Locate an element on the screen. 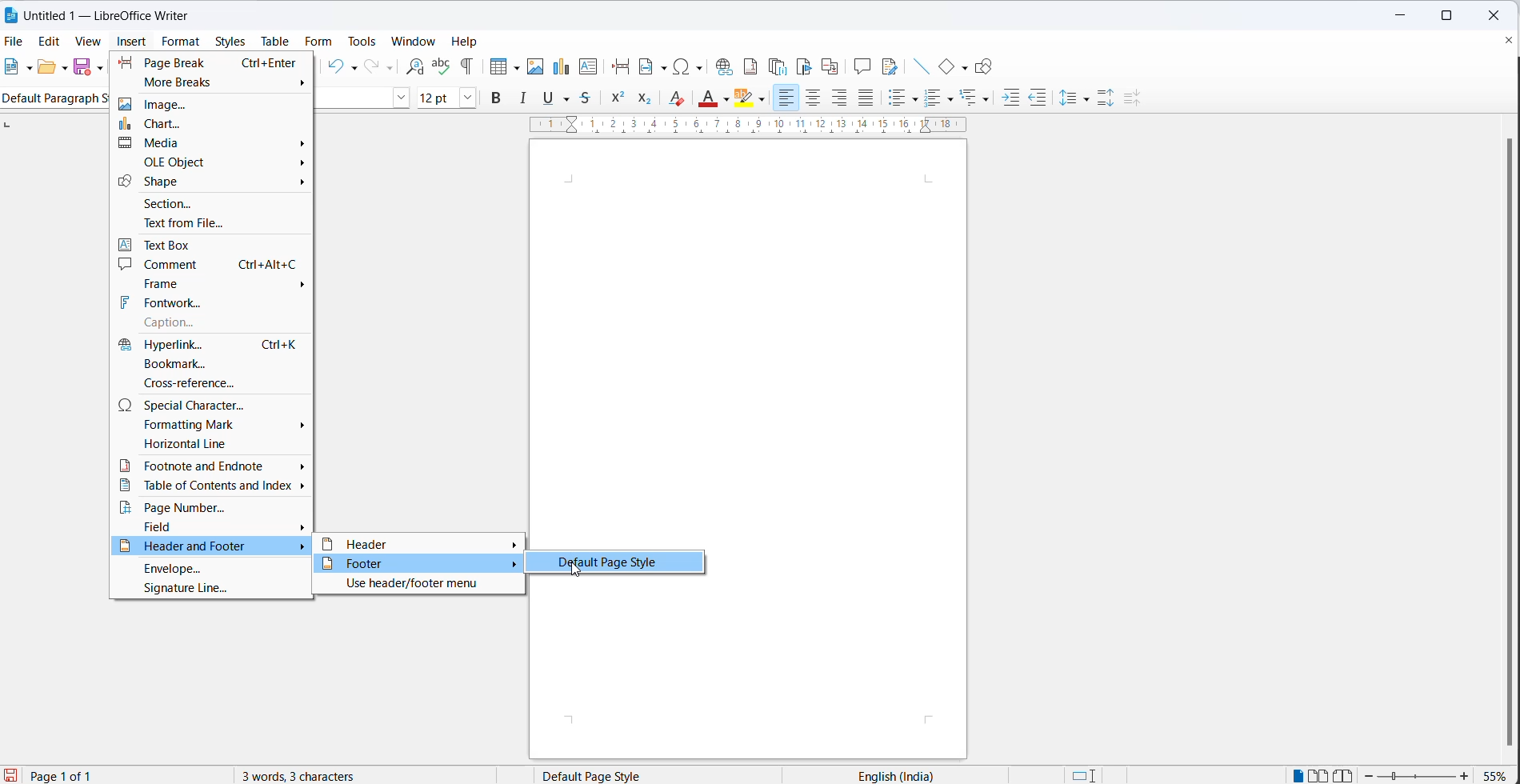  styles is located at coordinates (231, 43).